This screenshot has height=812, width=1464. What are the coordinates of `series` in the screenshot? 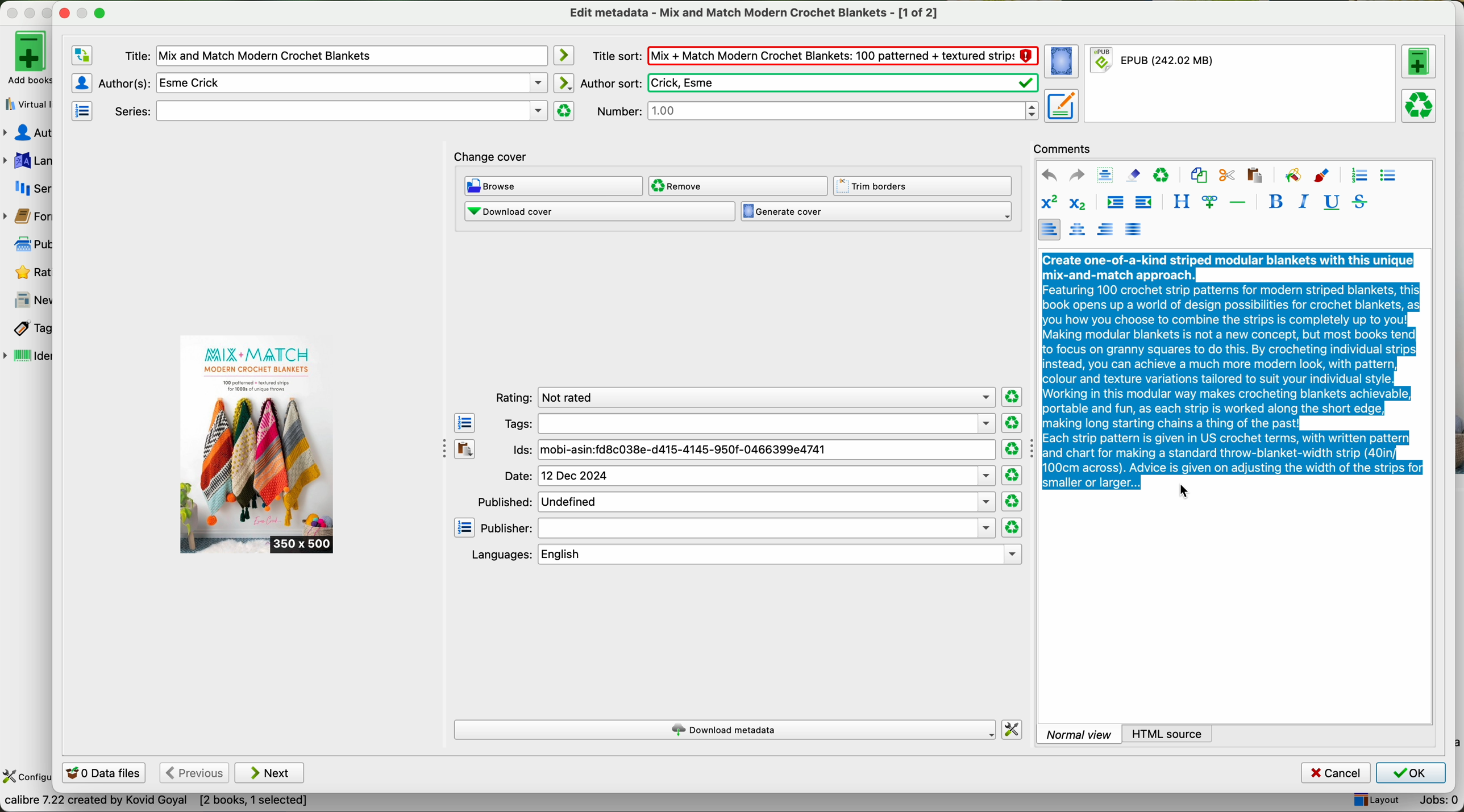 It's located at (328, 111).